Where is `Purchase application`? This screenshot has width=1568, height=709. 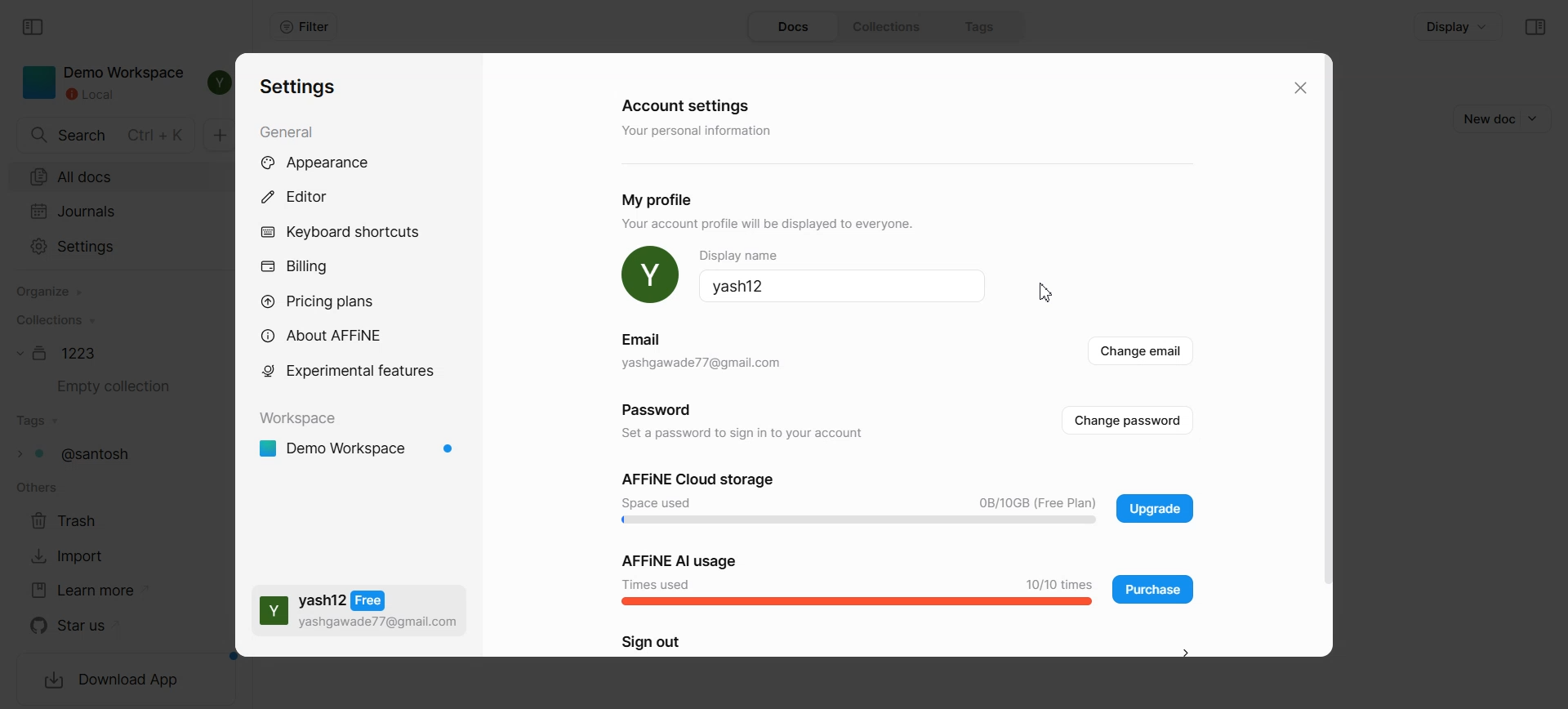 Purchase application is located at coordinates (1153, 588).